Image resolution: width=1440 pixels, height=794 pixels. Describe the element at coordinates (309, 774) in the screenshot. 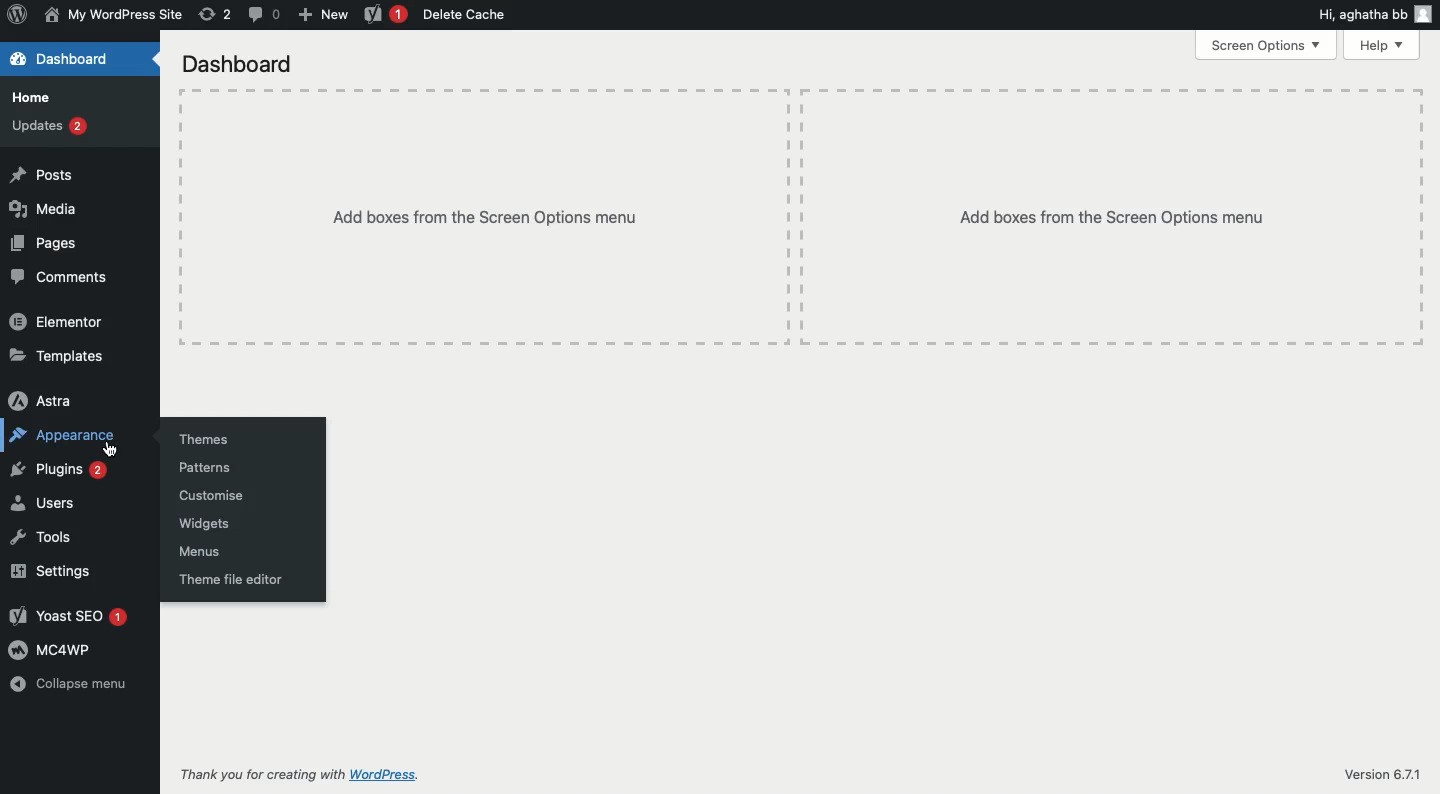

I see `Thank you for creating with wordpress` at that location.